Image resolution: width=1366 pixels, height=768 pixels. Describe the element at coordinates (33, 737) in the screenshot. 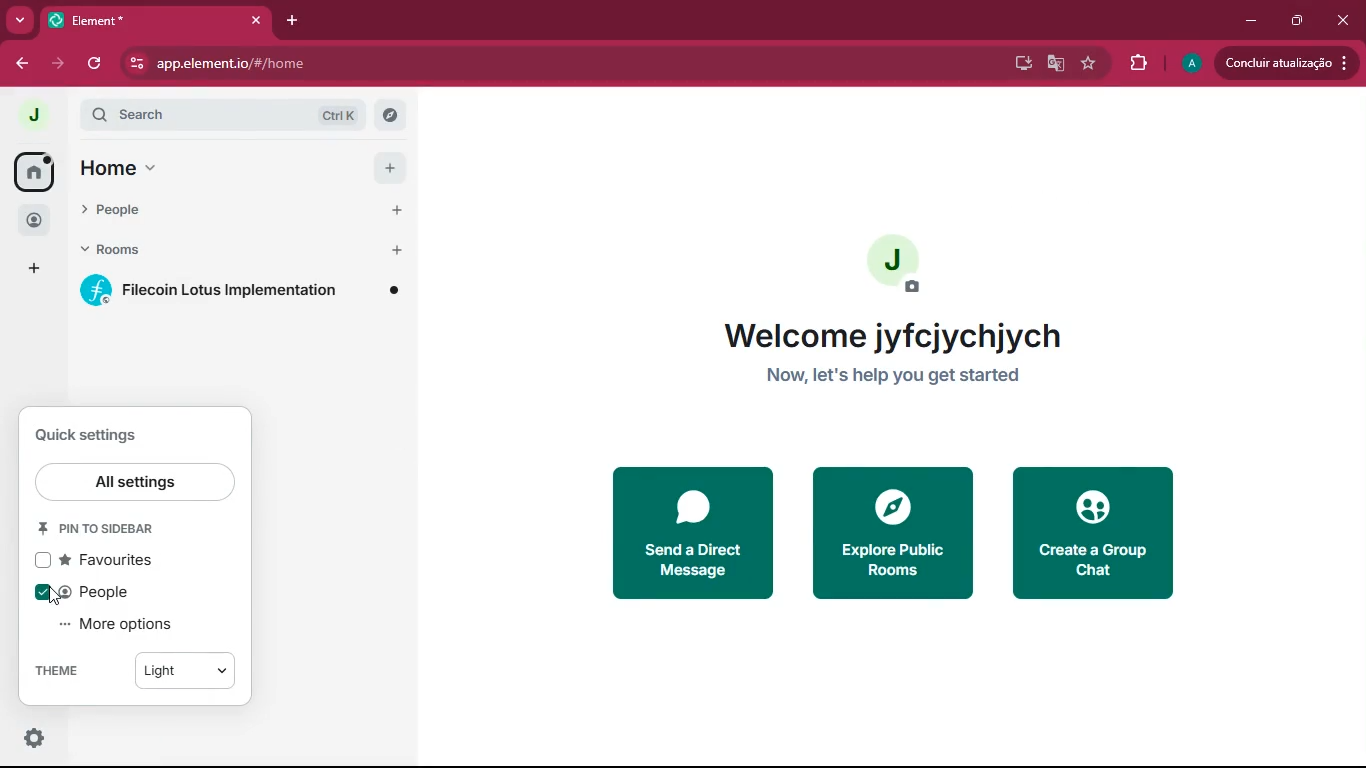

I see `settings` at that location.